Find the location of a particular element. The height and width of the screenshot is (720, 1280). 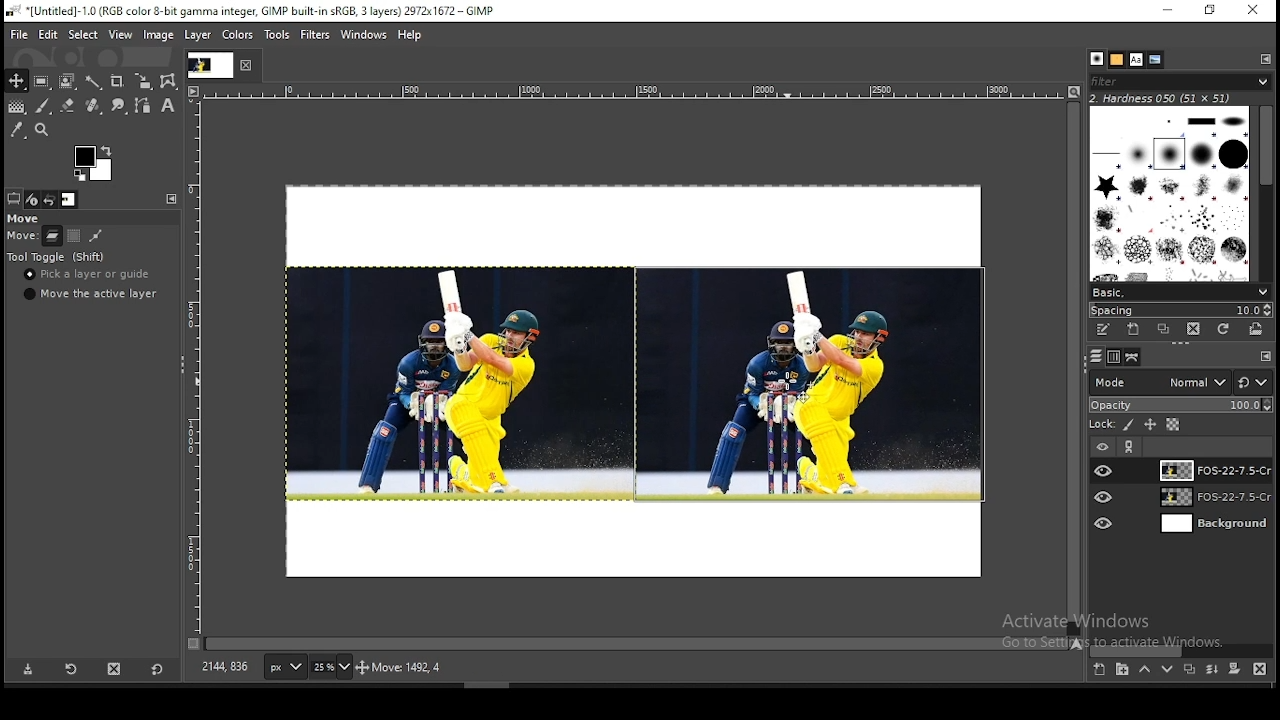

delete tool preset is located at coordinates (116, 668).